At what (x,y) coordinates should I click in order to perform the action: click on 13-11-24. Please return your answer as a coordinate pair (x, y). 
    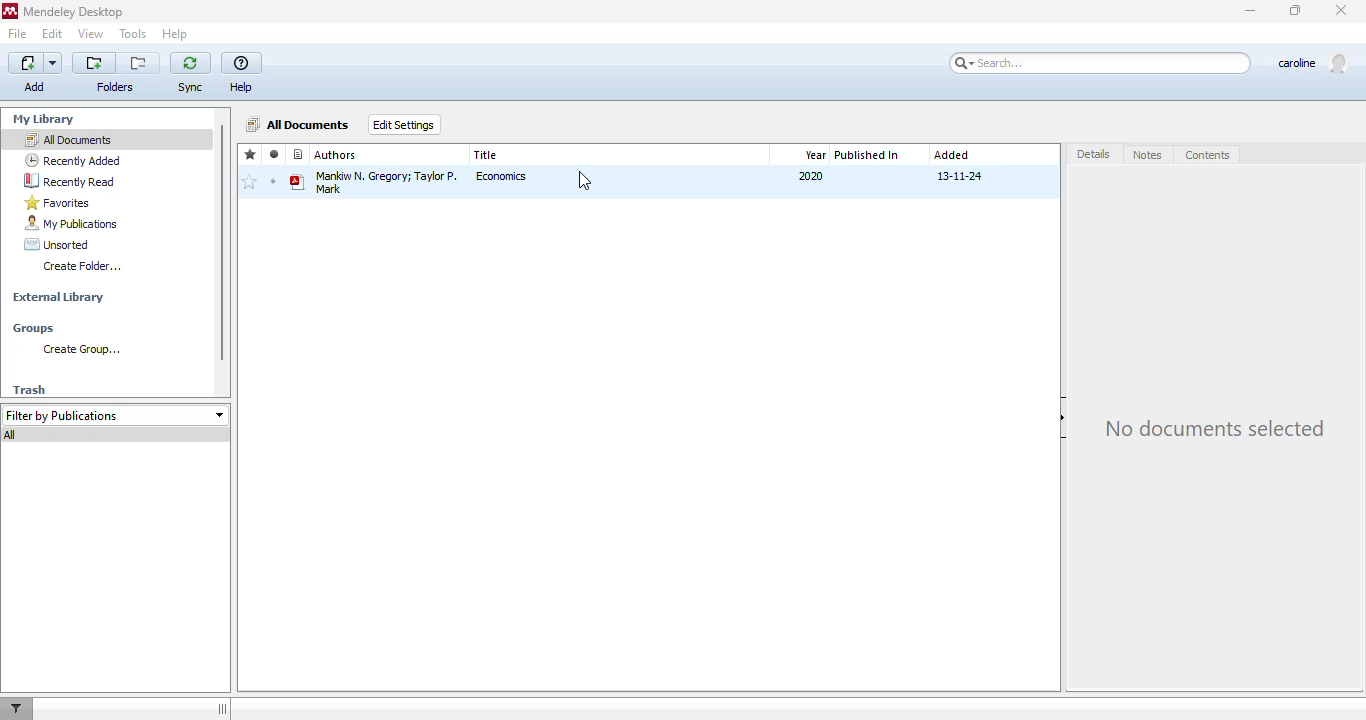
    Looking at the image, I should click on (962, 177).